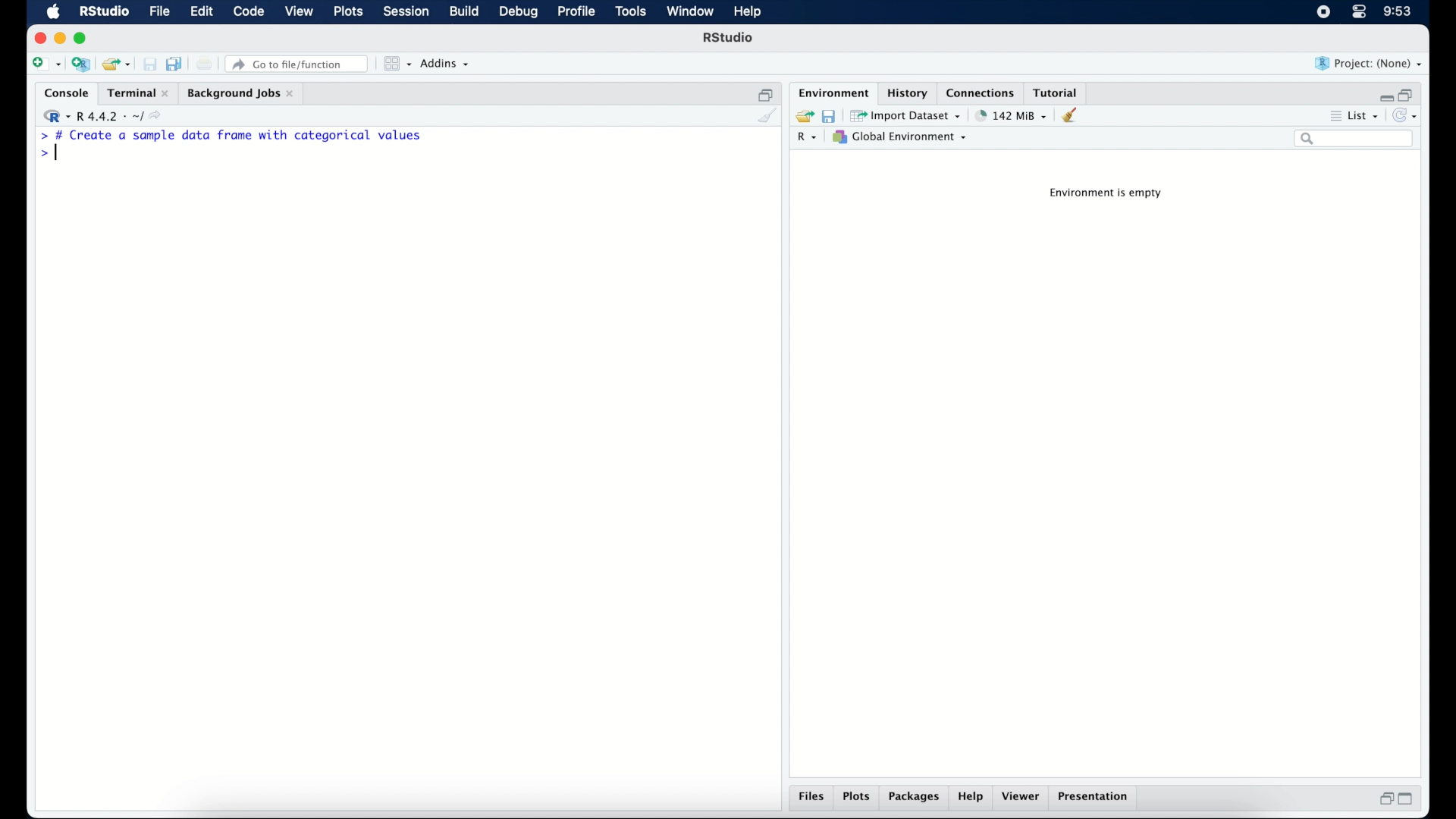 Image resolution: width=1456 pixels, height=819 pixels. What do you see at coordinates (1097, 798) in the screenshot?
I see `presentation` at bounding box center [1097, 798].